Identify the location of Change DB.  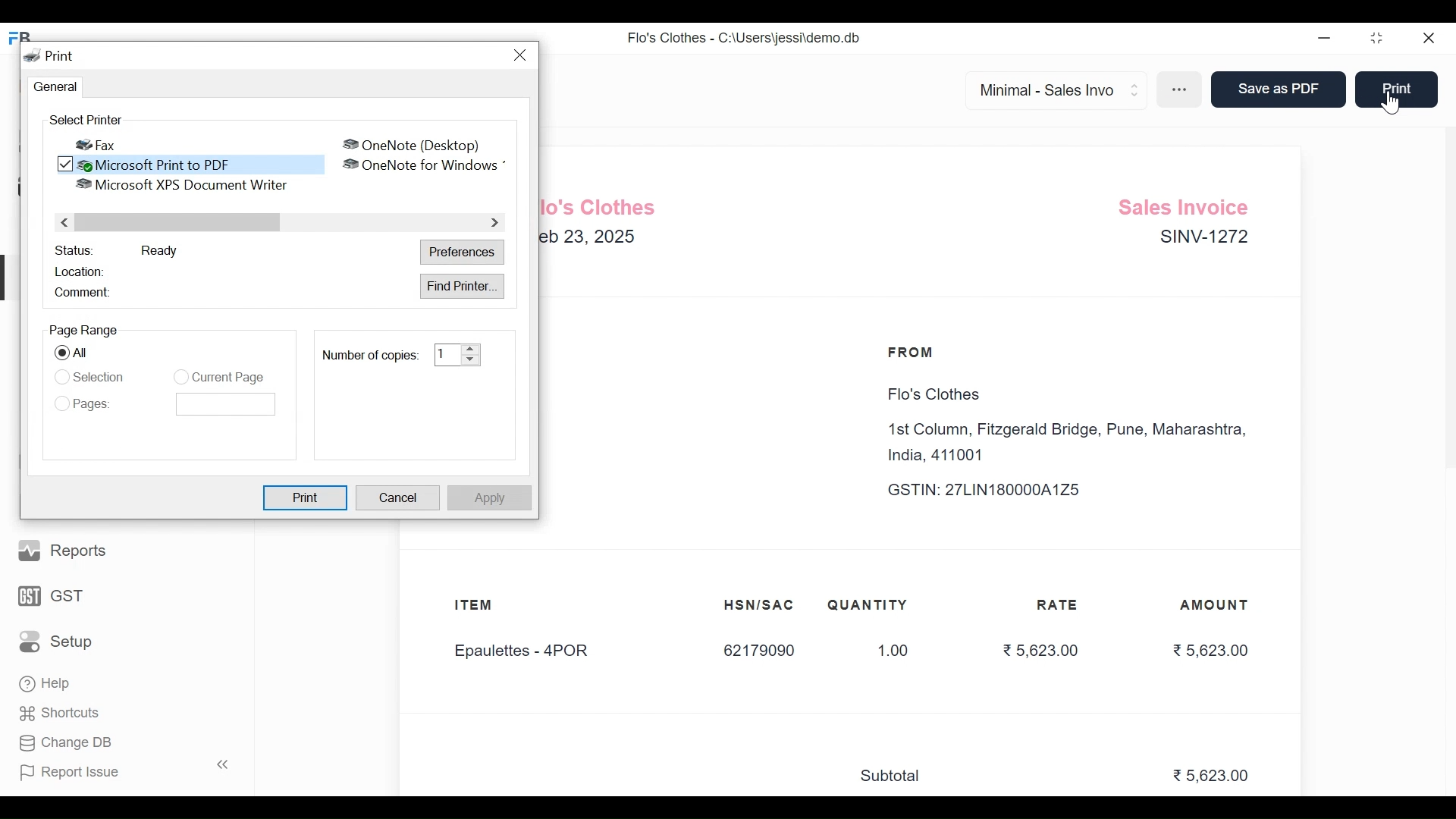
(64, 742).